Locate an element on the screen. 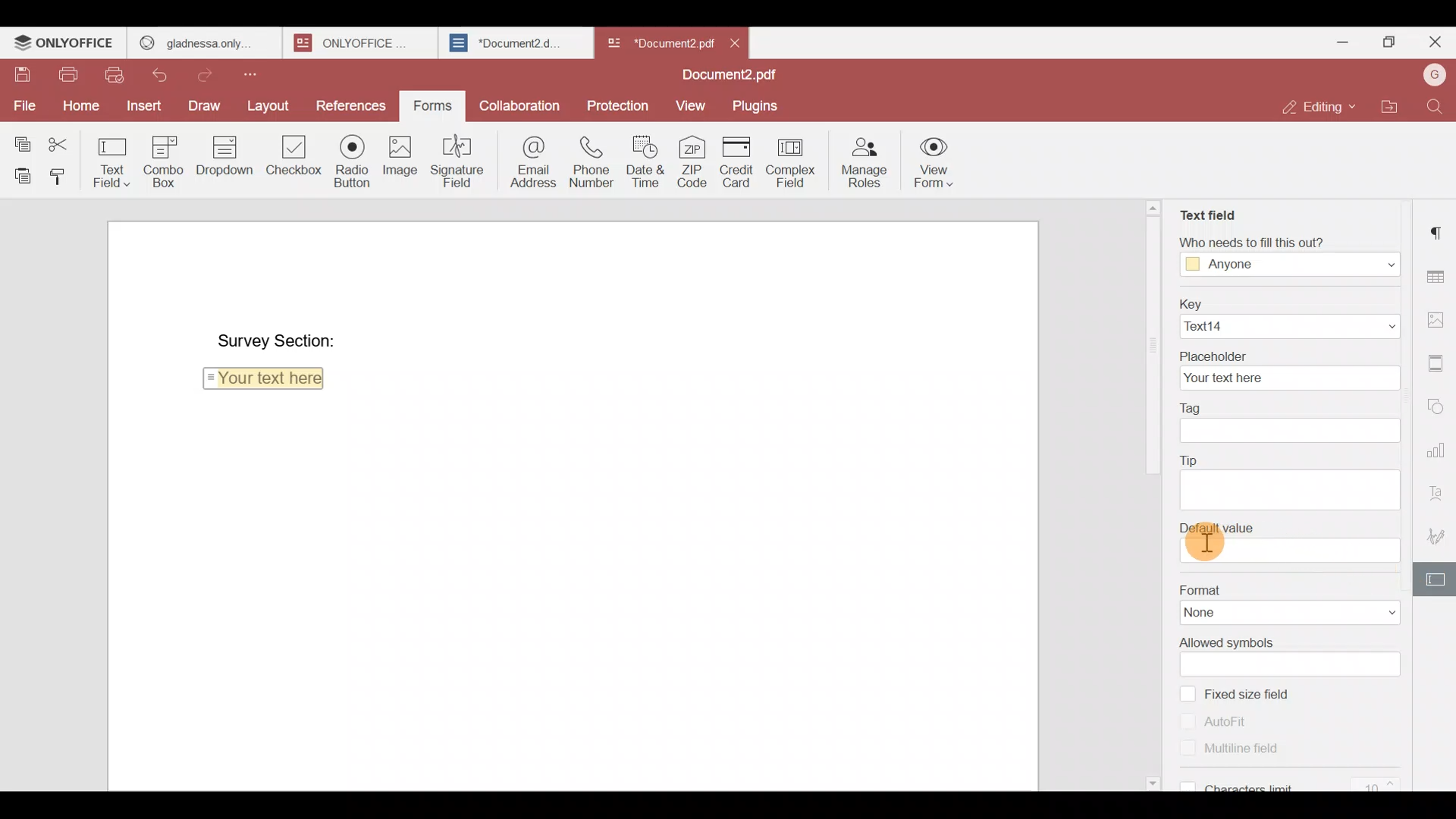 Image resolution: width=1456 pixels, height=819 pixels. Chart settings is located at coordinates (1438, 450).